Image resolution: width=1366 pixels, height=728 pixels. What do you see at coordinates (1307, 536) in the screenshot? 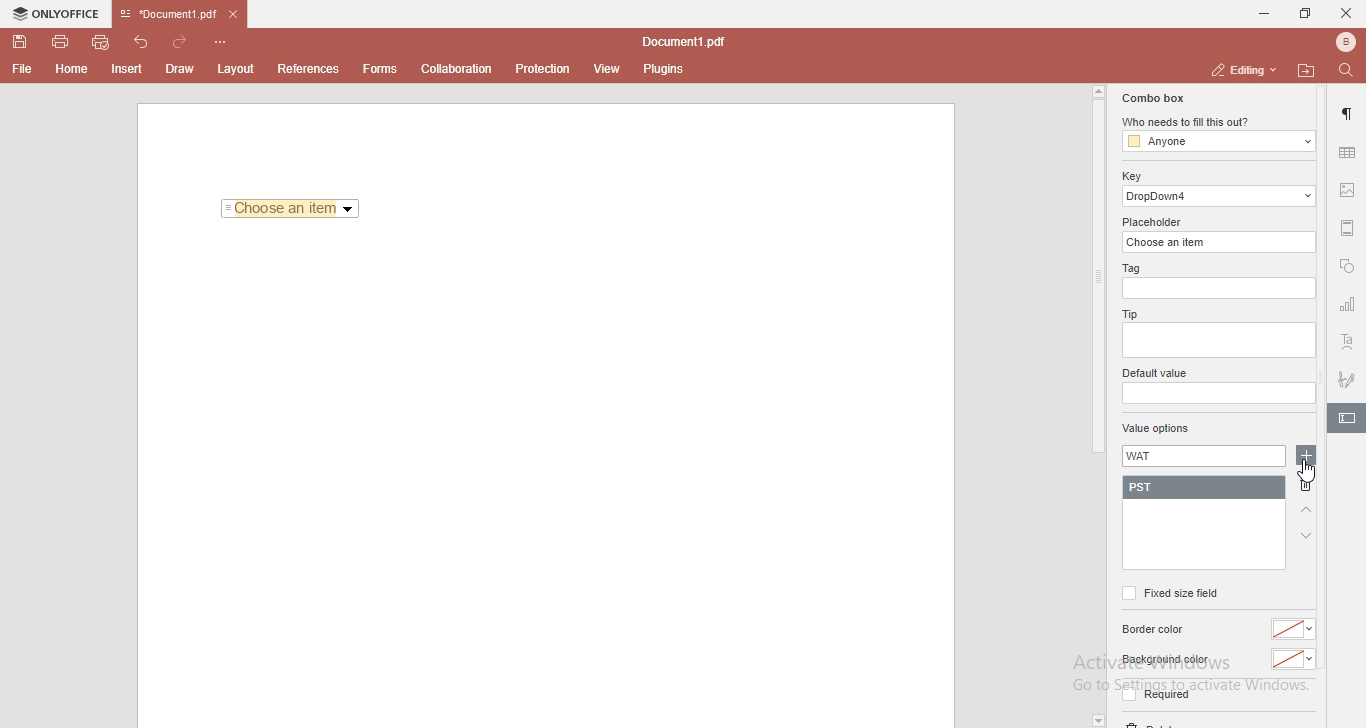
I see `arrow down` at bounding box center [1307, 536].